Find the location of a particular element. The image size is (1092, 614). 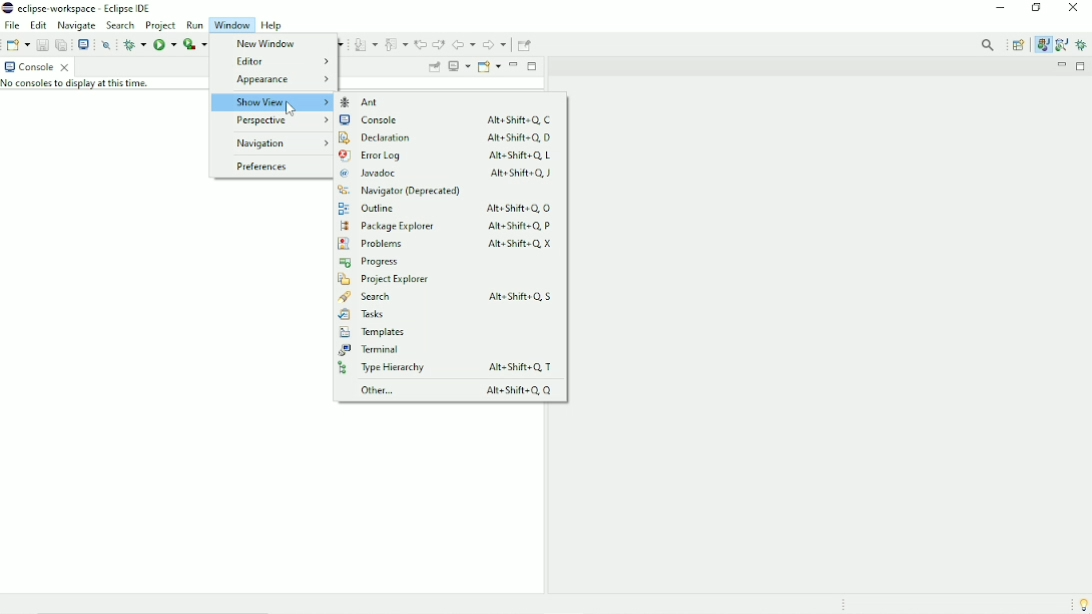

Templates is located at coordinates (372, 333).